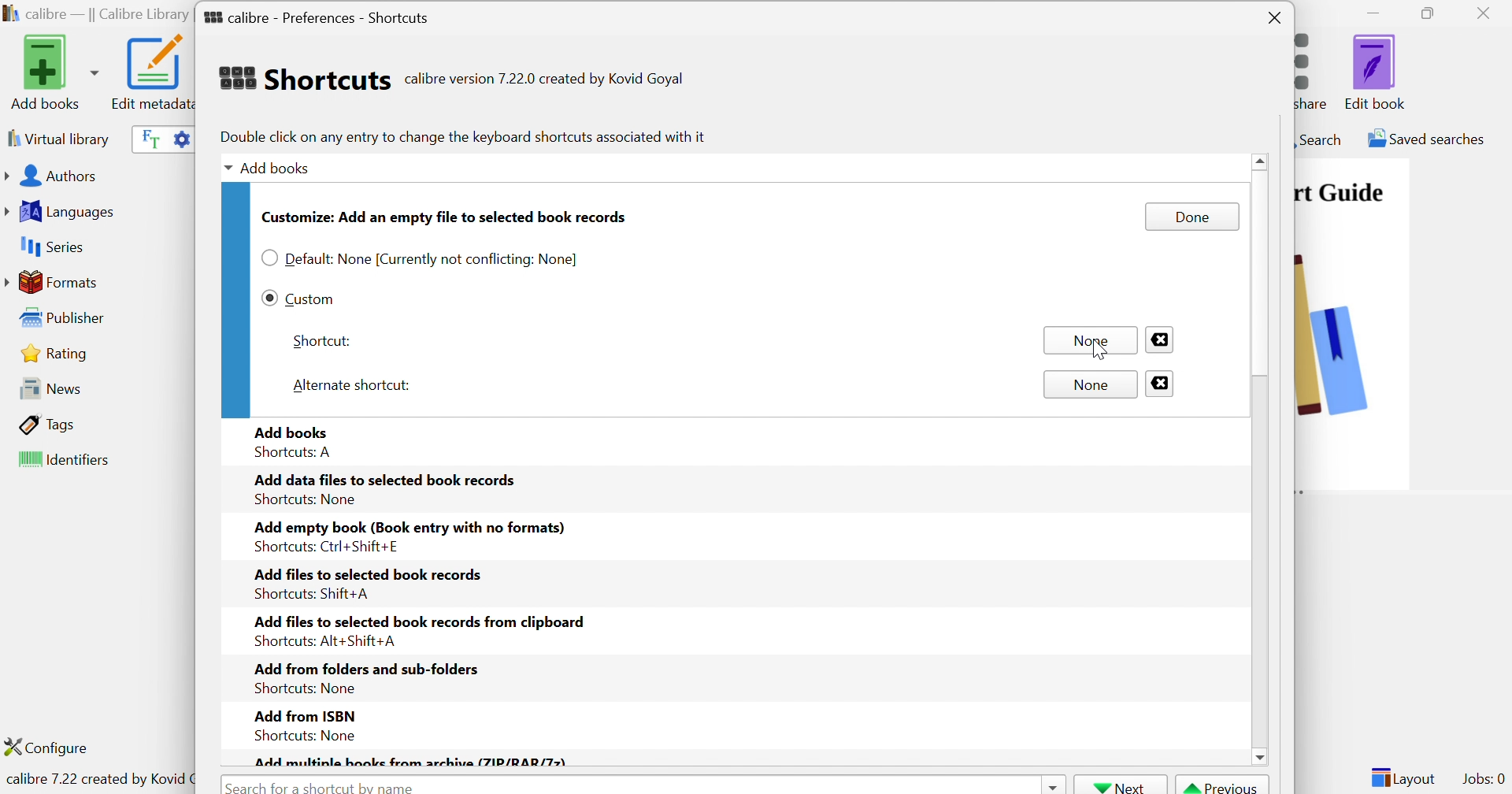 The width and height of the screenshot is (1512, 794). What do you see at coordinates (409, 529) in the screenshot?
I see `Add empty book (Book entry with no formats)` at bounding box center [409, 529].